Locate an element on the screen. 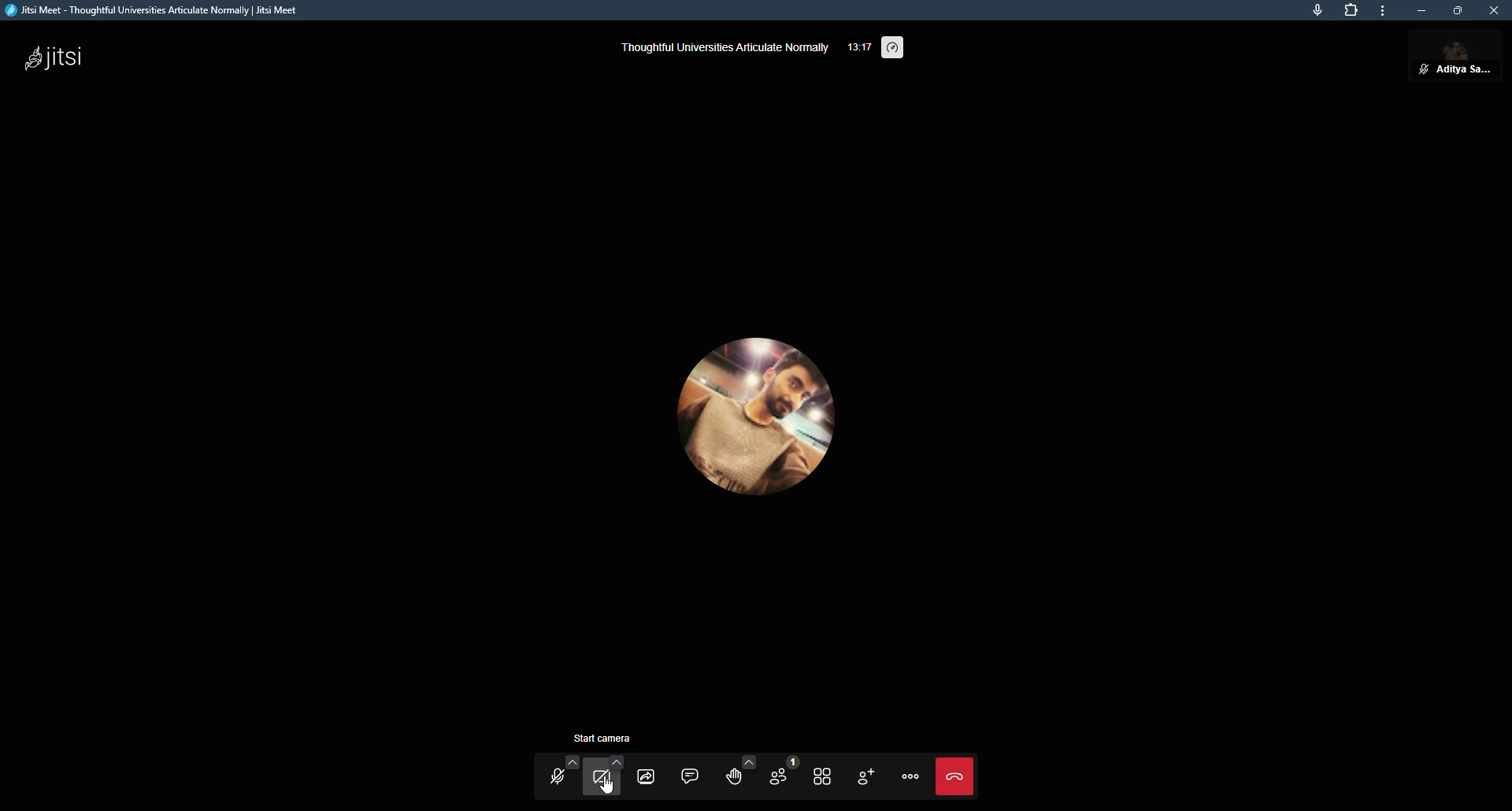 This screenshot has height=811, width=1512. start camera is located at coordinates (602, 777).